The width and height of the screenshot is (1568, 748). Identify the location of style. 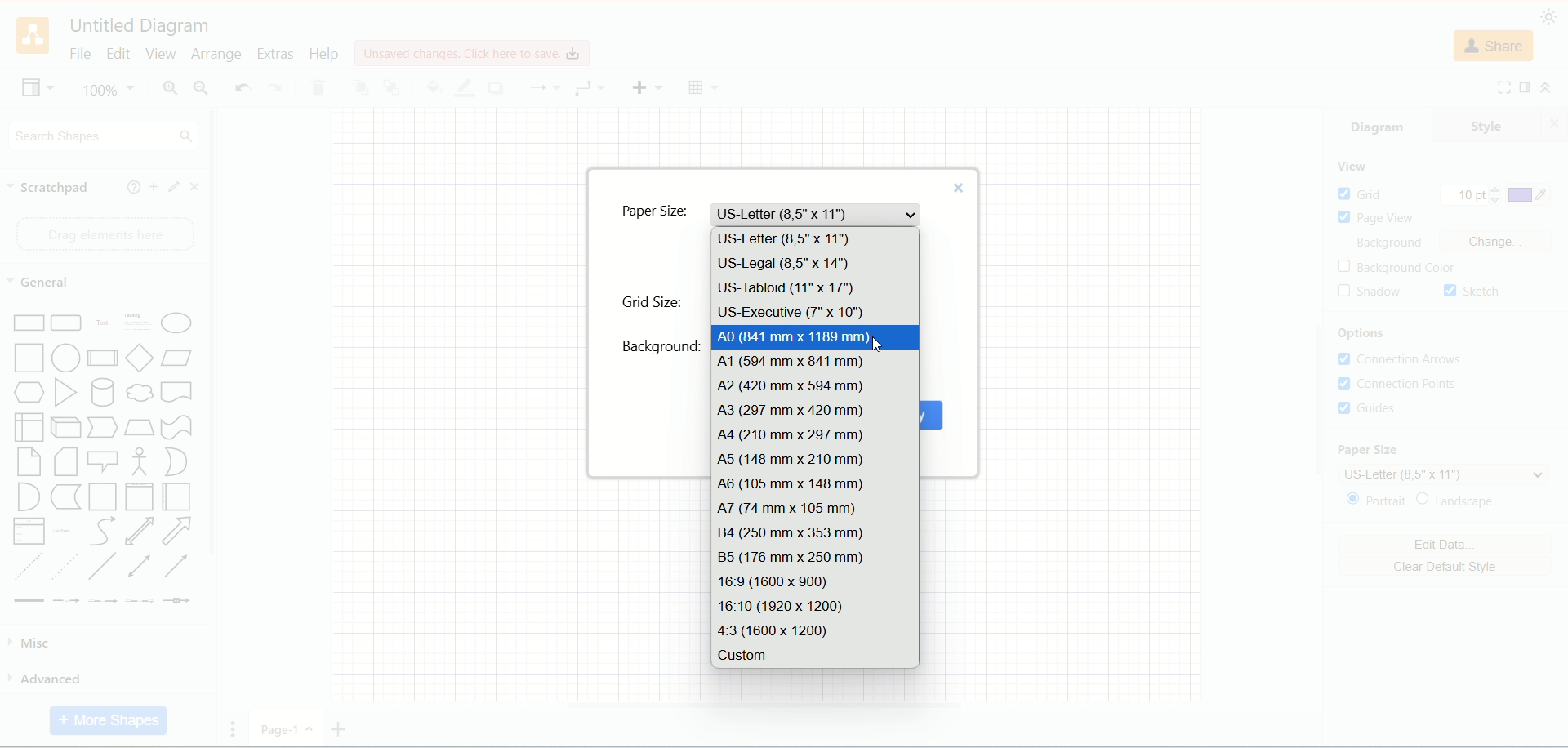
(1501, 124).